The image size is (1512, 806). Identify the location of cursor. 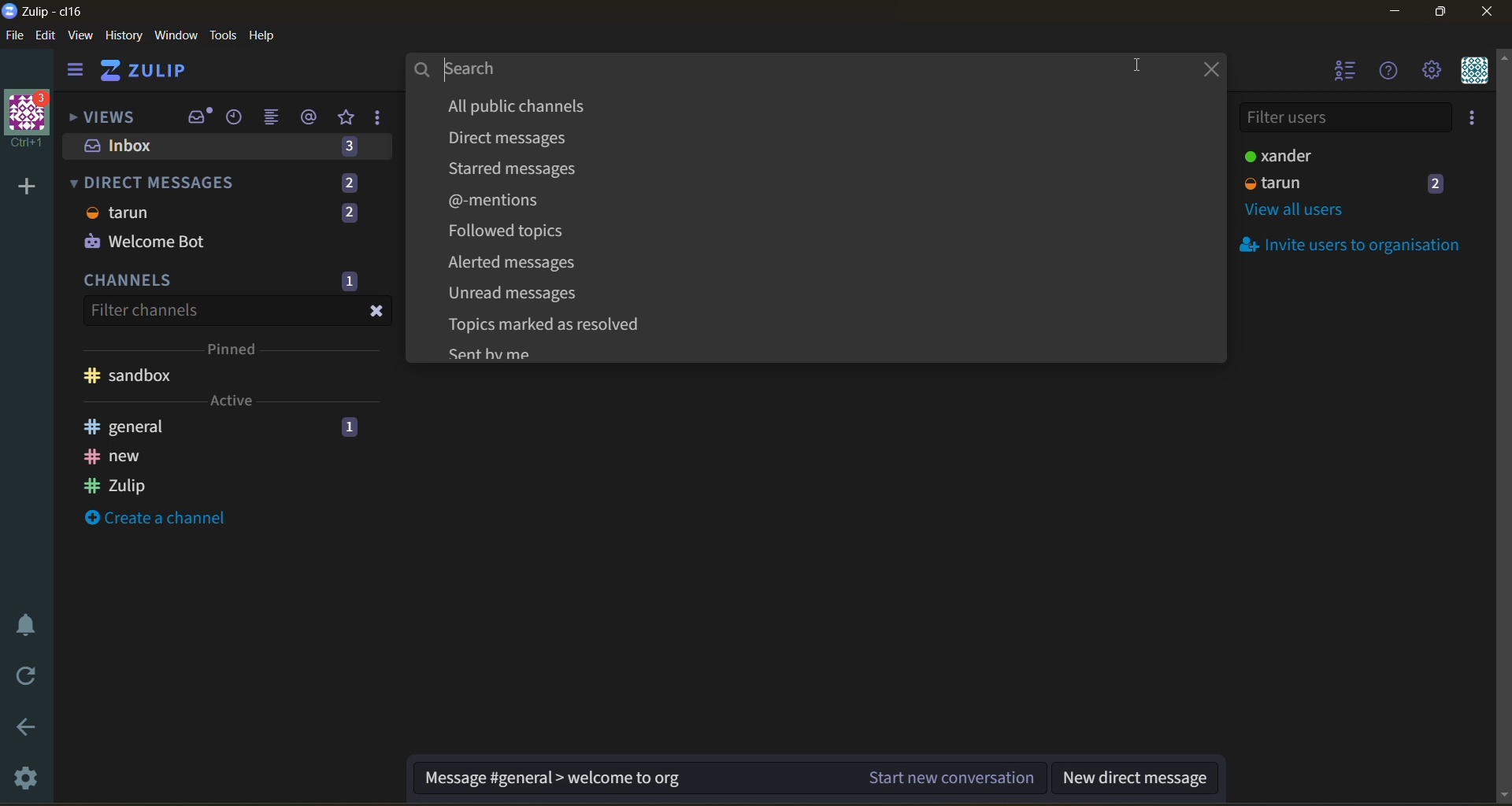
(1117, 63).